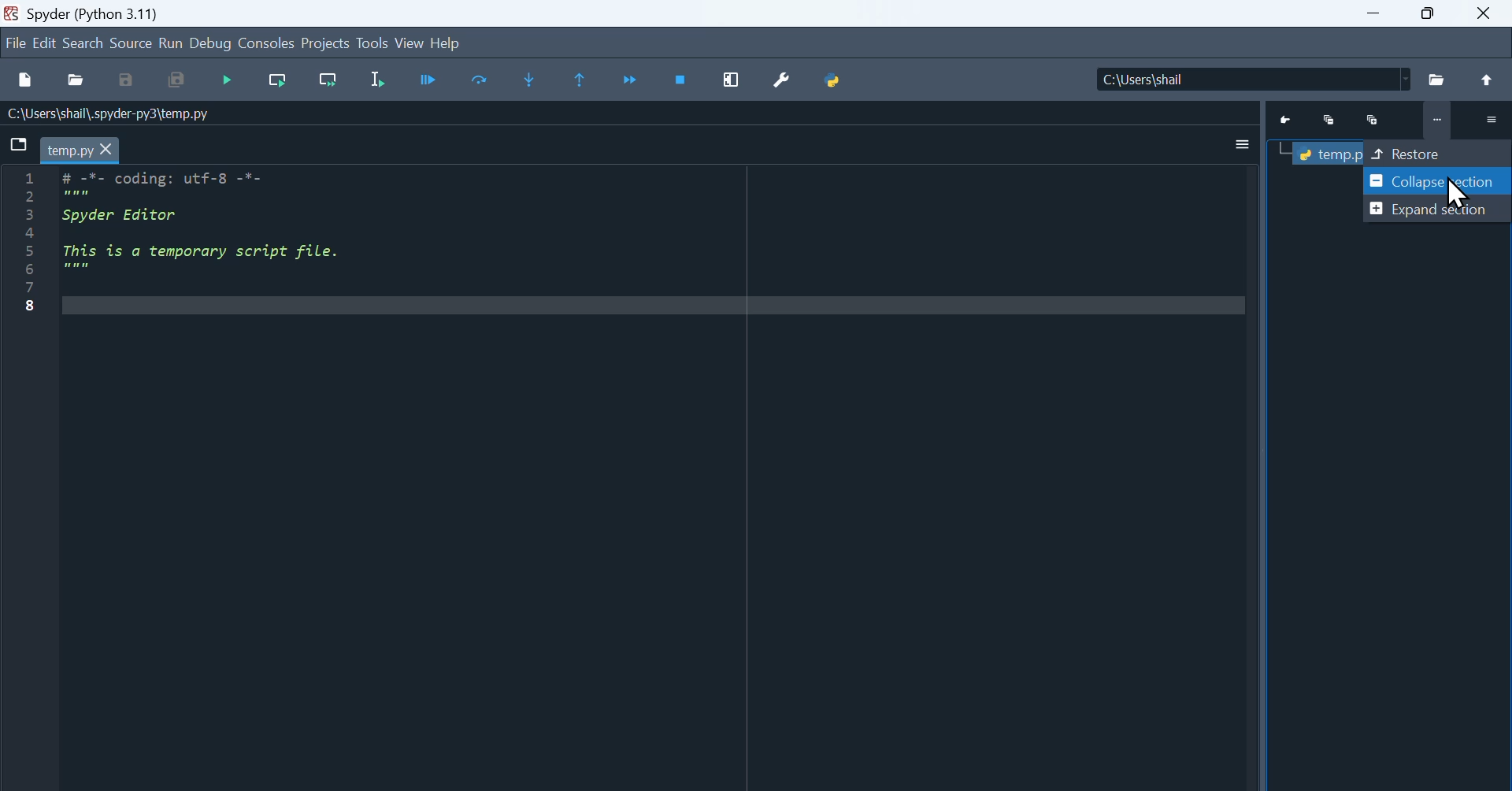 This screenshot has width=1512, height=791. I want to click on Browse tab, so click(19, 143).